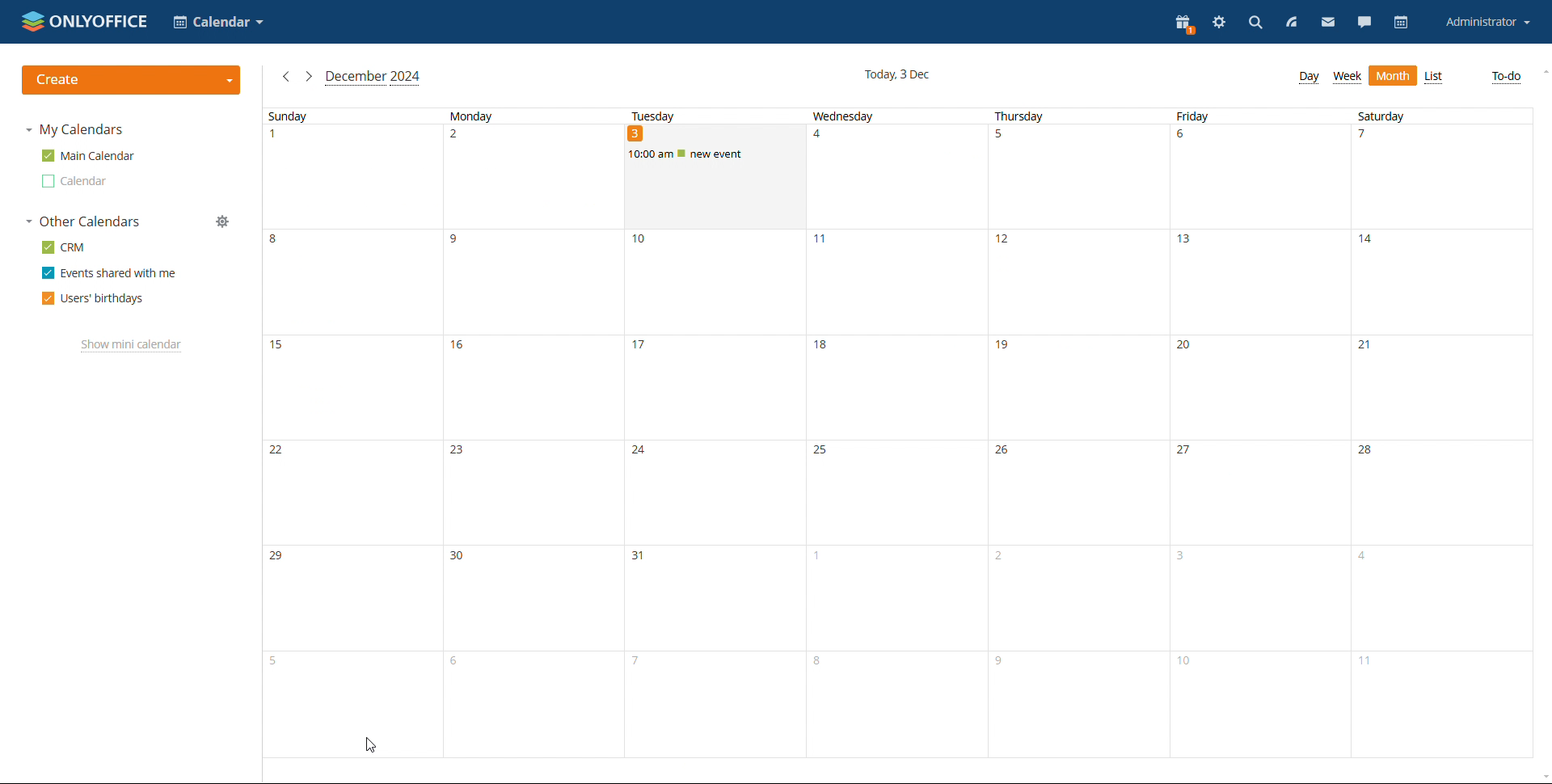  I want to click on events shared with me, so click(110, 272).